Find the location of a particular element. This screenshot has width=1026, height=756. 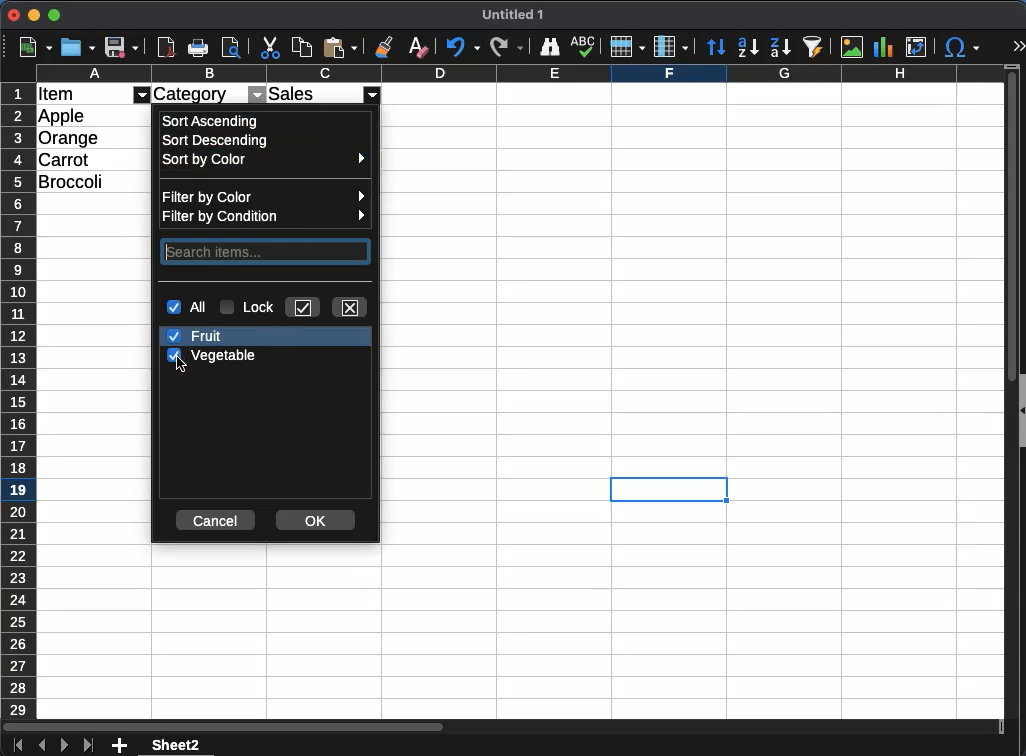

carrot is located at coordinates (64, 158).